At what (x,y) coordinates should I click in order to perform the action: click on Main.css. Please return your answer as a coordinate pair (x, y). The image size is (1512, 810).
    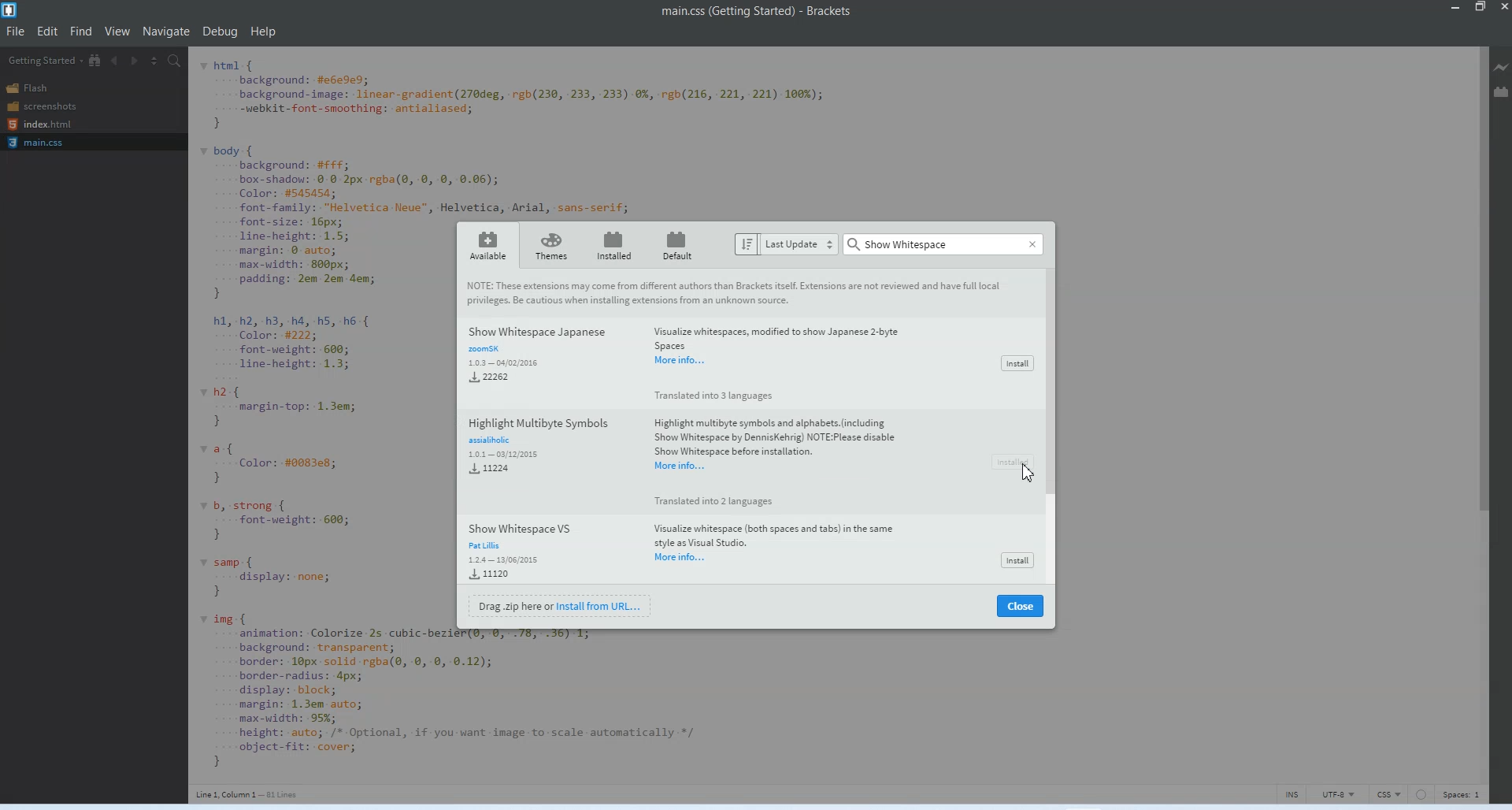
    Looking at the image, I should click on (37, 143).